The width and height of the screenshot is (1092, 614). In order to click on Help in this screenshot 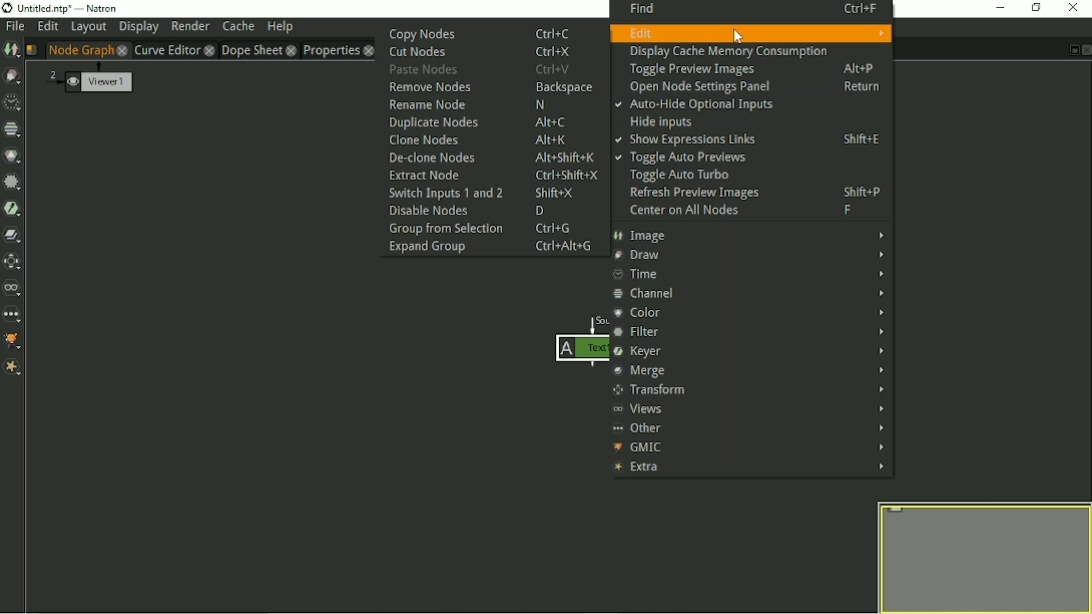, I will do `click(280, 28)`.